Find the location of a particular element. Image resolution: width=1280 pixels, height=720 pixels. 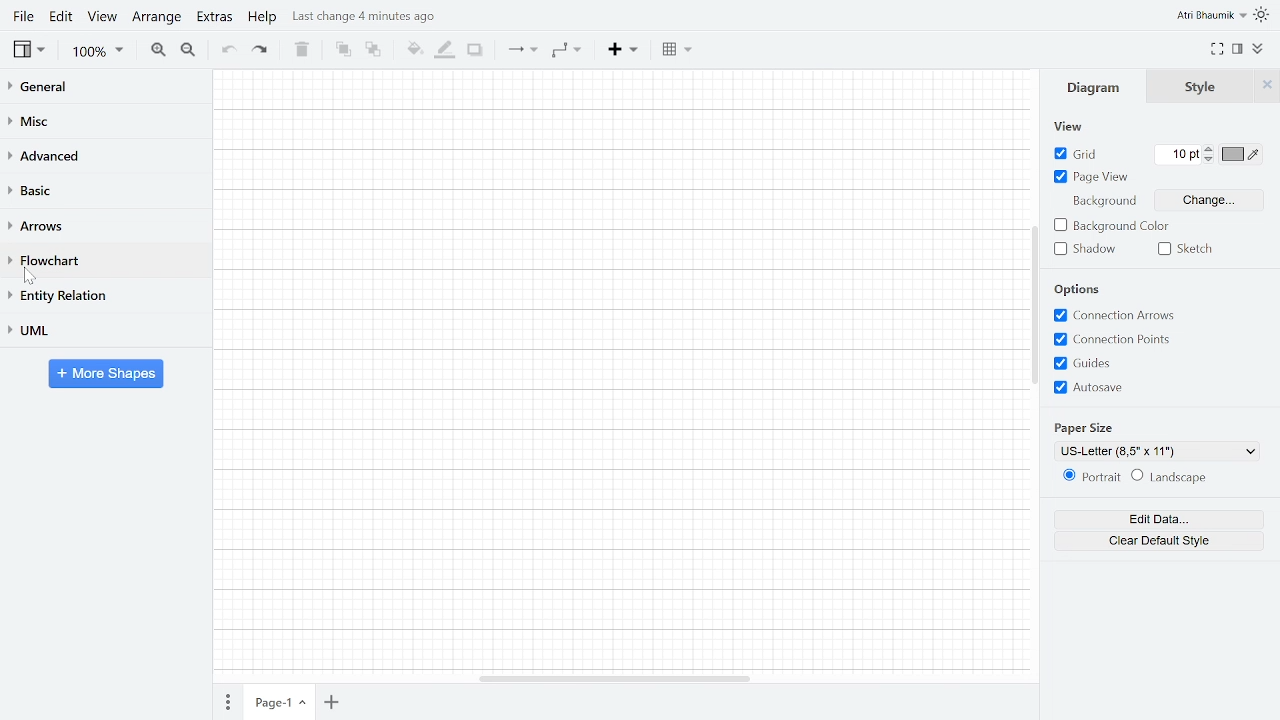

Fill color is located at coordinates (413, 51).